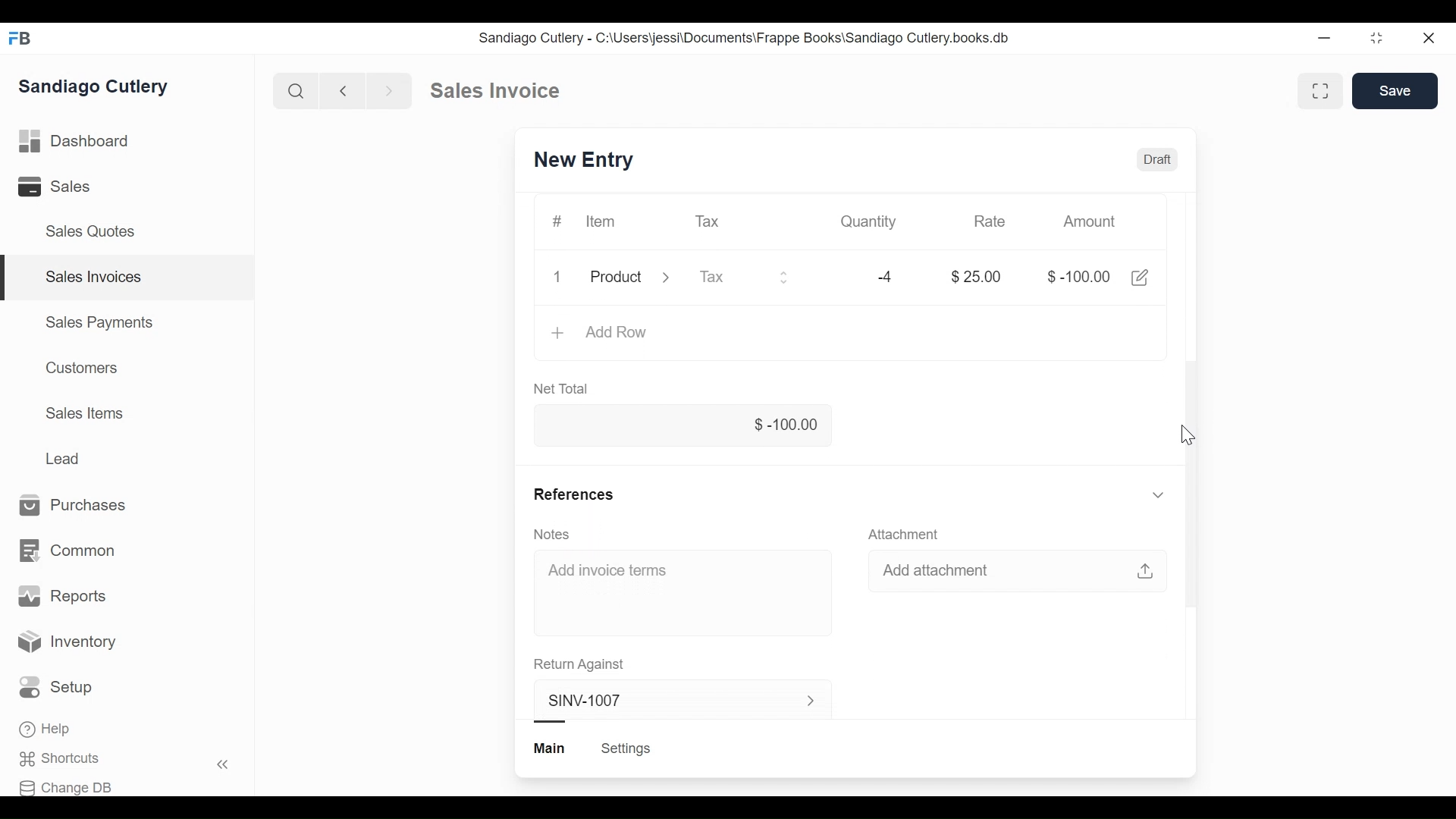  Describe the element at coordinates (56, 687) in the screenshot. I see `Setup` at that location.